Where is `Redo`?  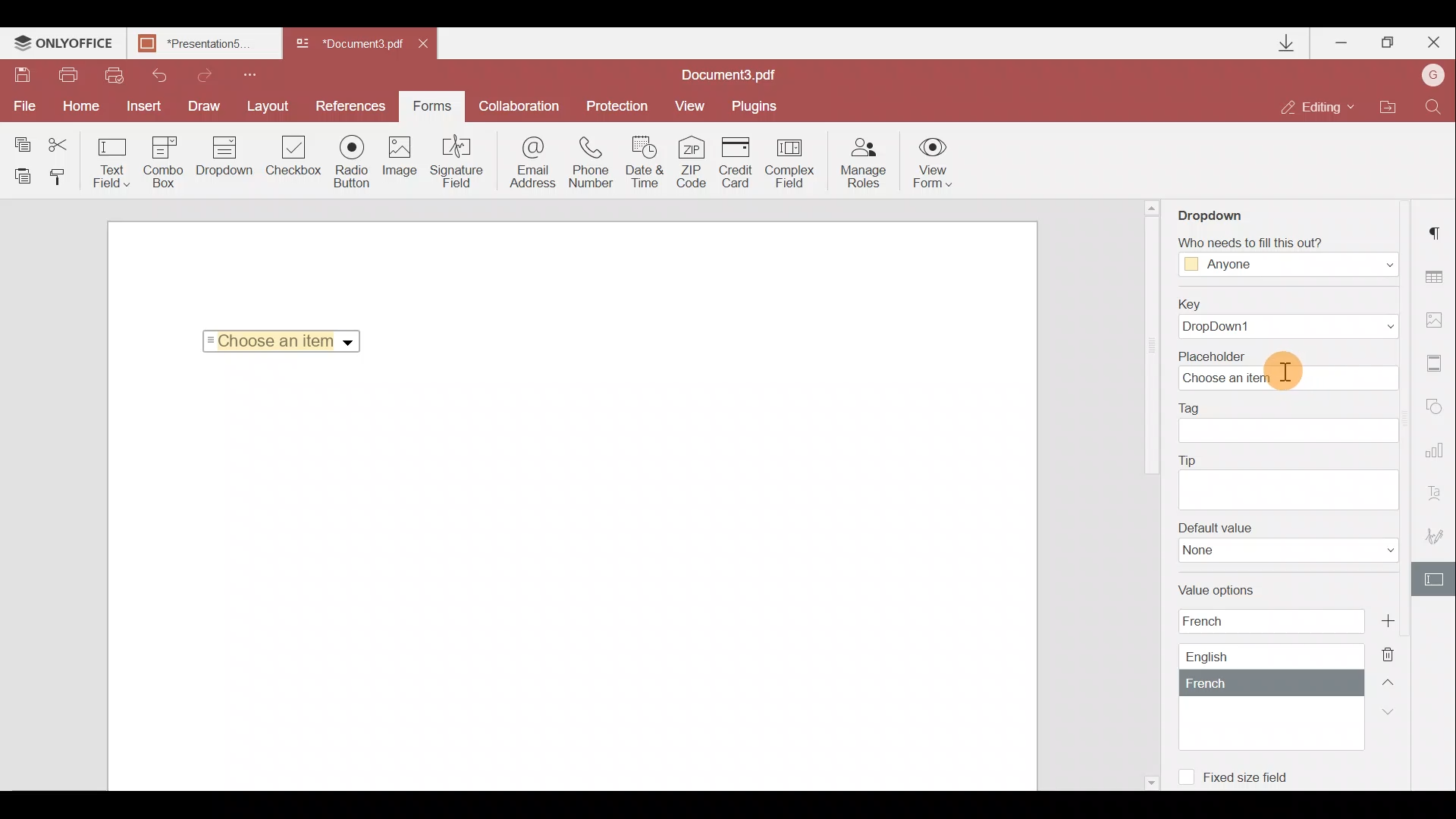 Redo is located at coordinates (197, 73).